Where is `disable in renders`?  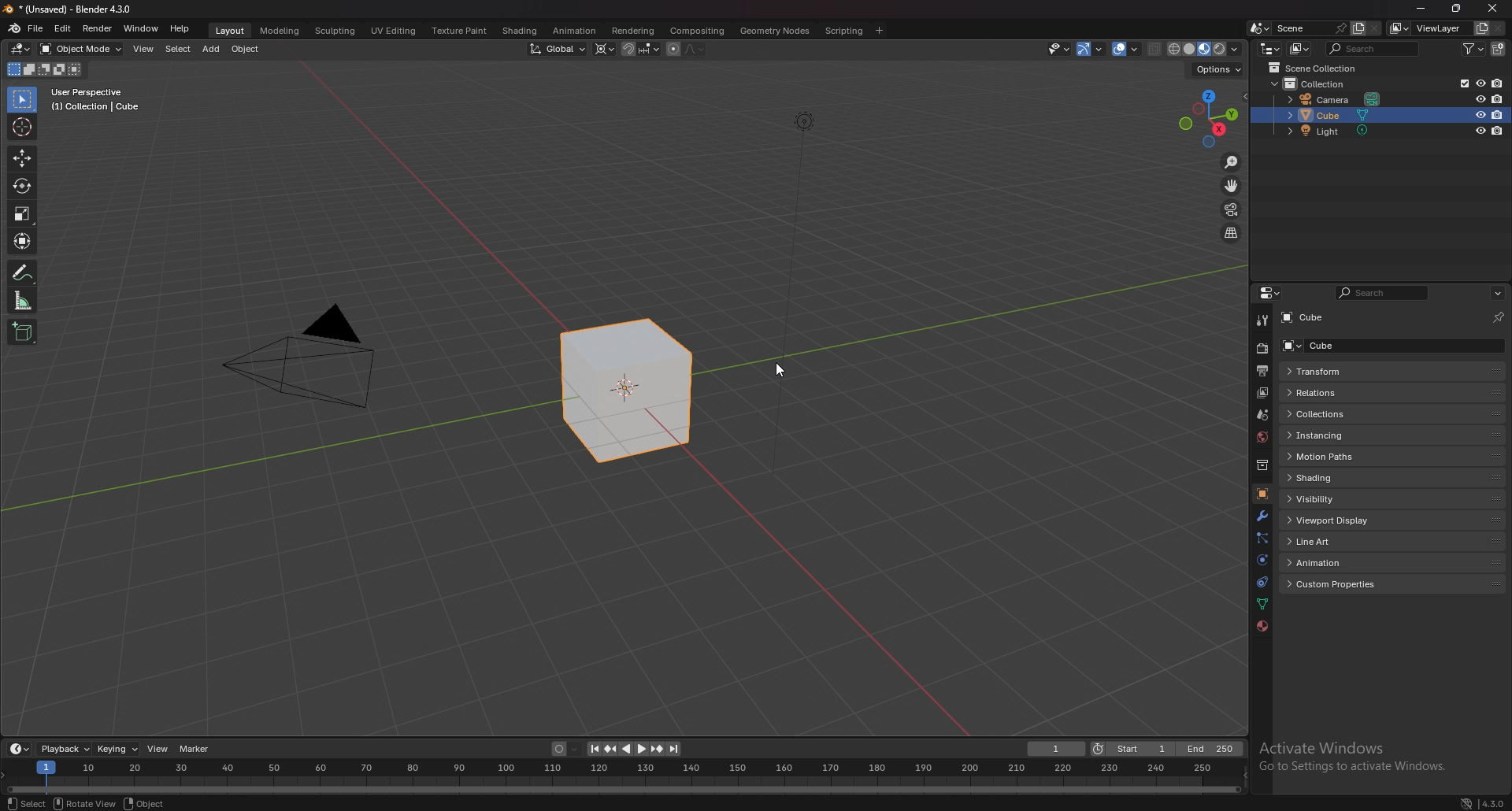
disable in renders is located at coordinates (1499, 131).